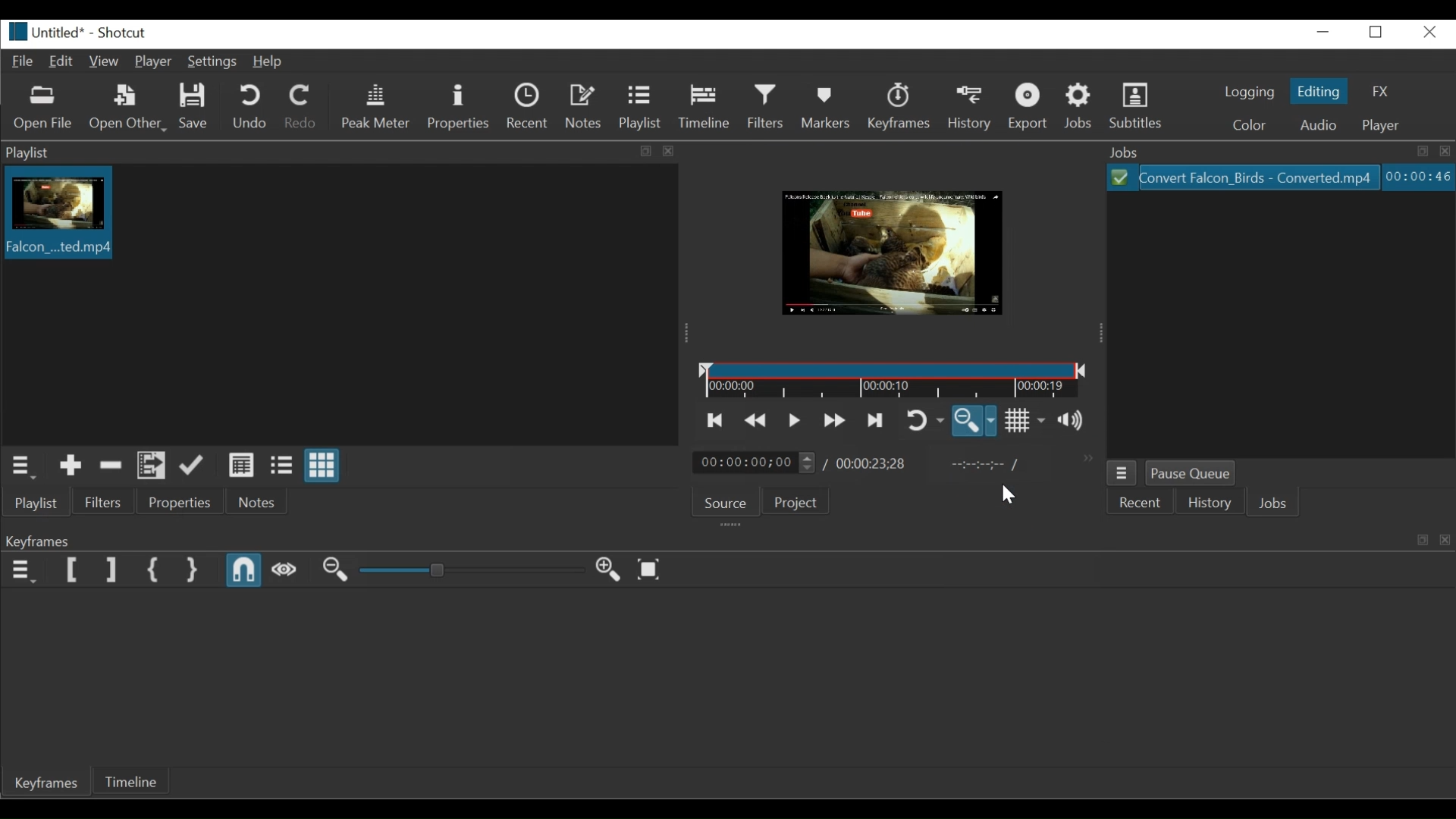  Describe the element at coordinates (1135, 502) in the screenshot. I see `Recent` at that location.